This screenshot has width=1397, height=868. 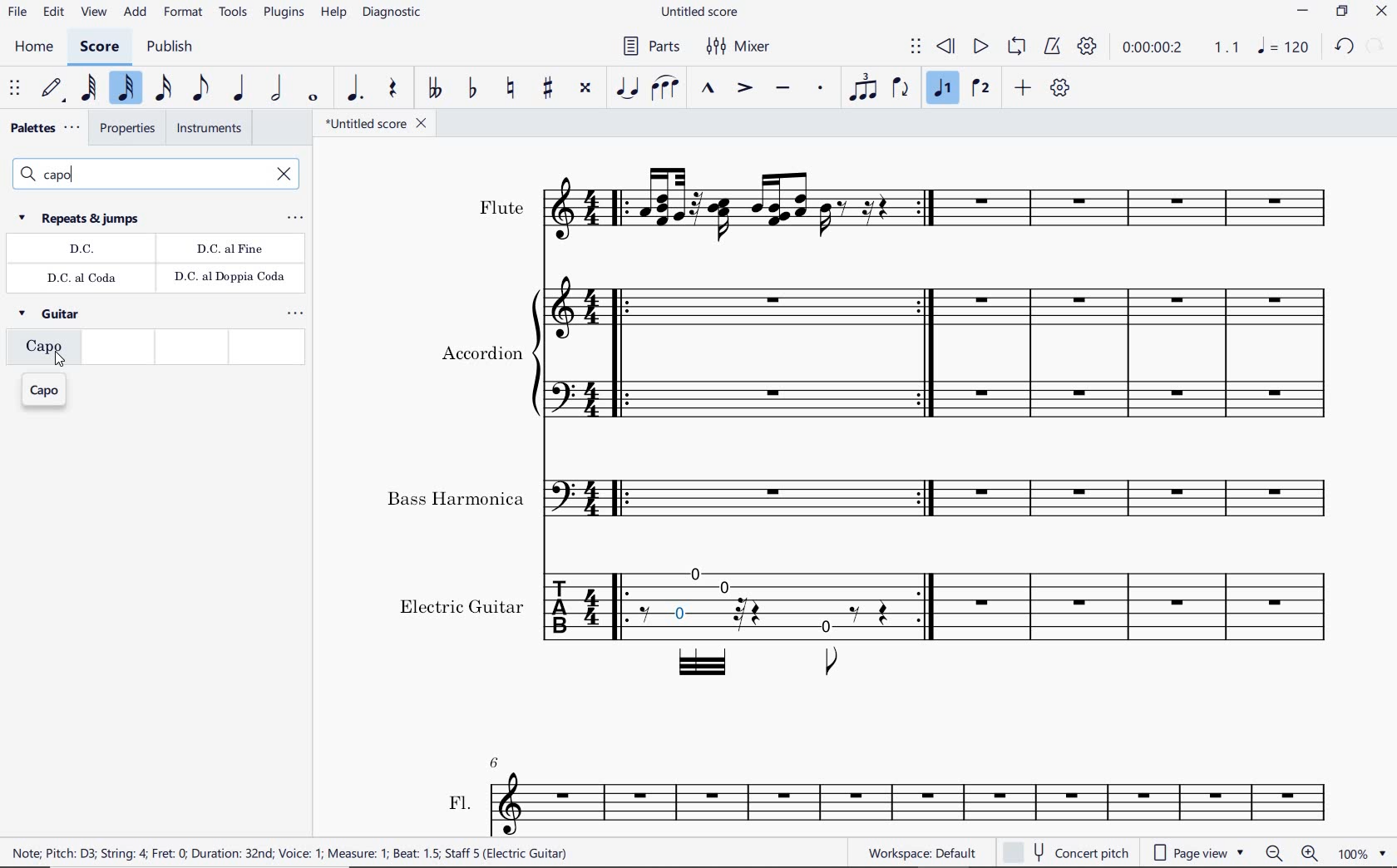 I want to click on tie, so click(x=629, y=86).